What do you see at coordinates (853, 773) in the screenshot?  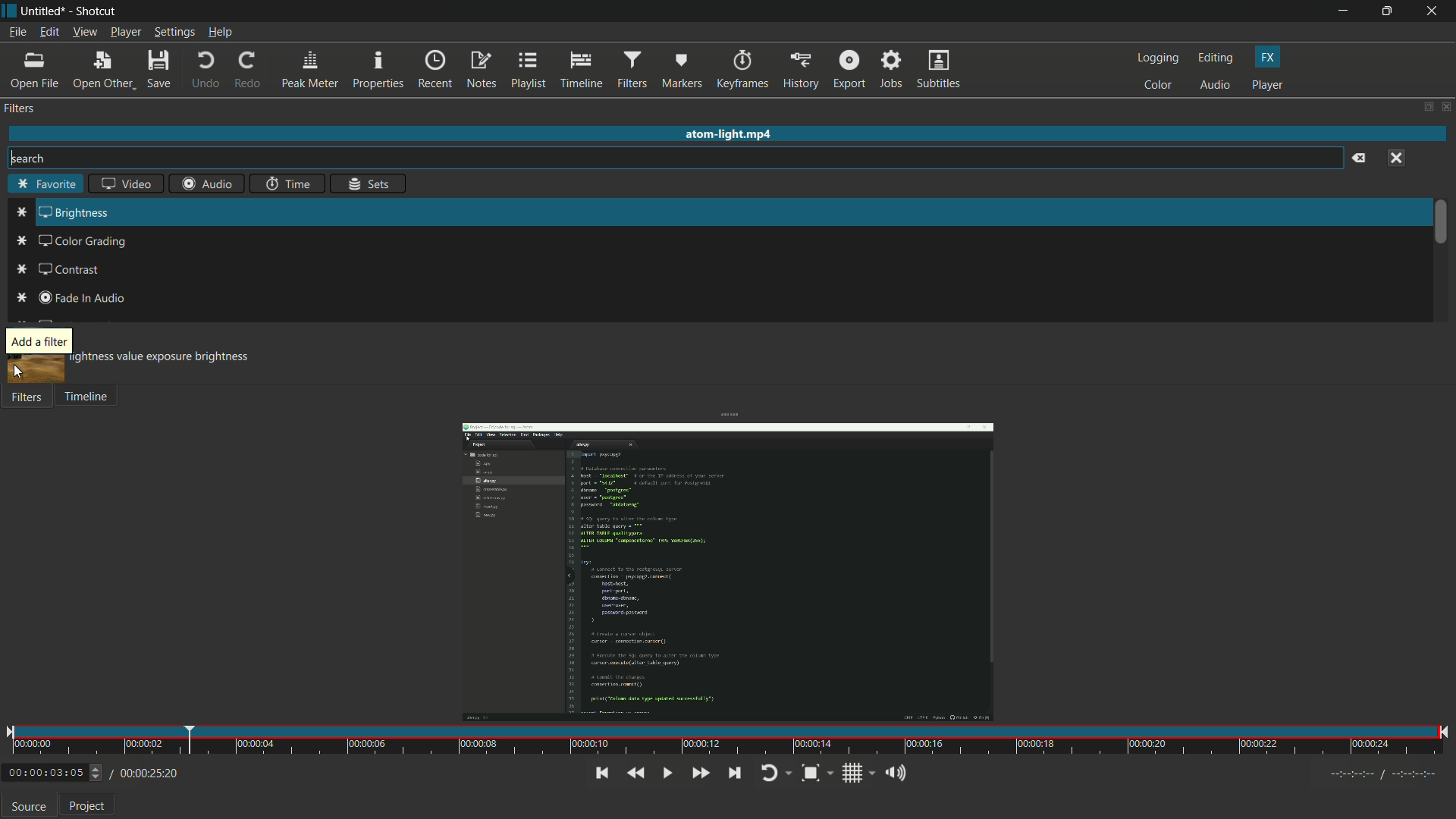 I see `toggle grid` at bounding box center [853, 773].